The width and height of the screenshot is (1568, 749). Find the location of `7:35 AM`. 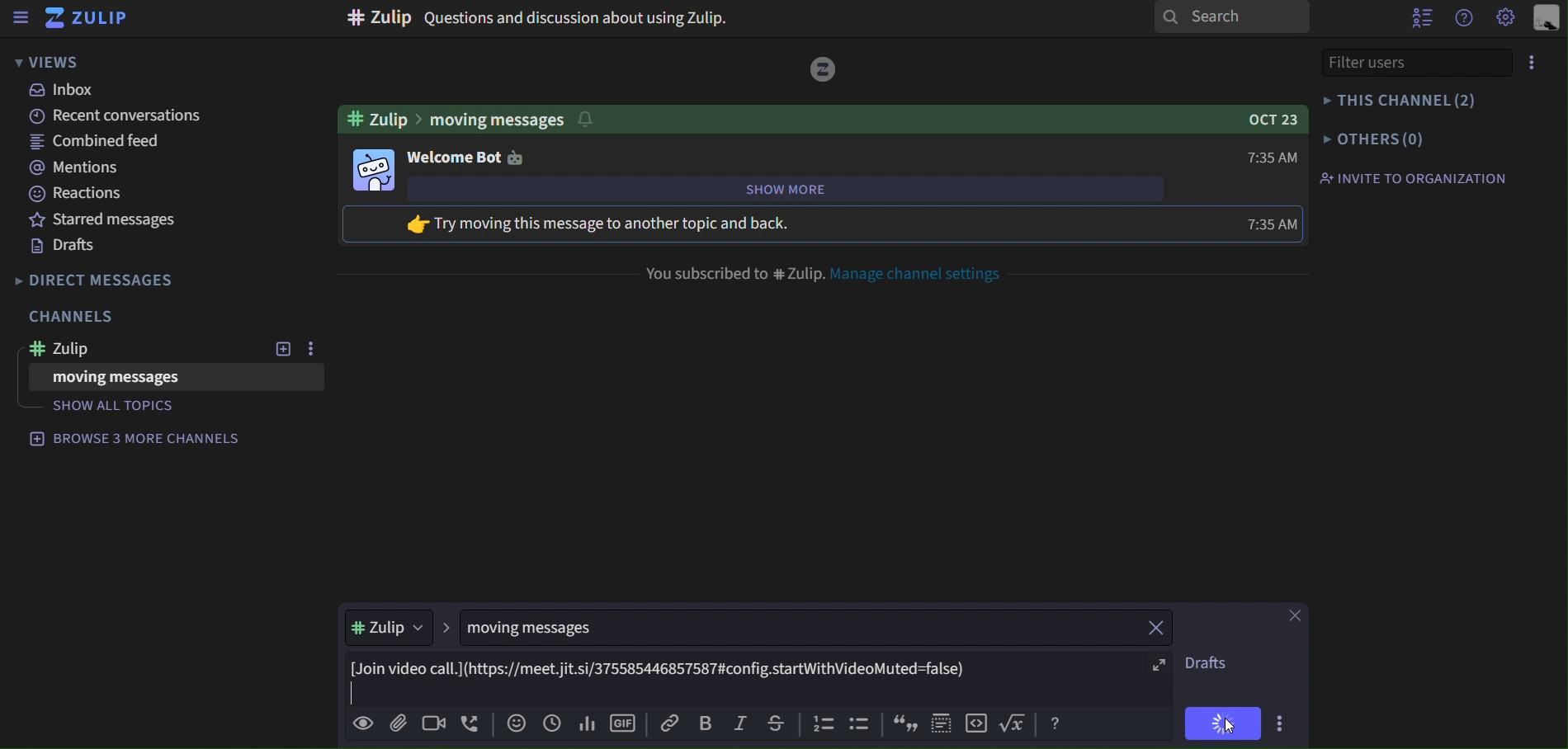

7:35 AM is located at coordinates (1275, 224).